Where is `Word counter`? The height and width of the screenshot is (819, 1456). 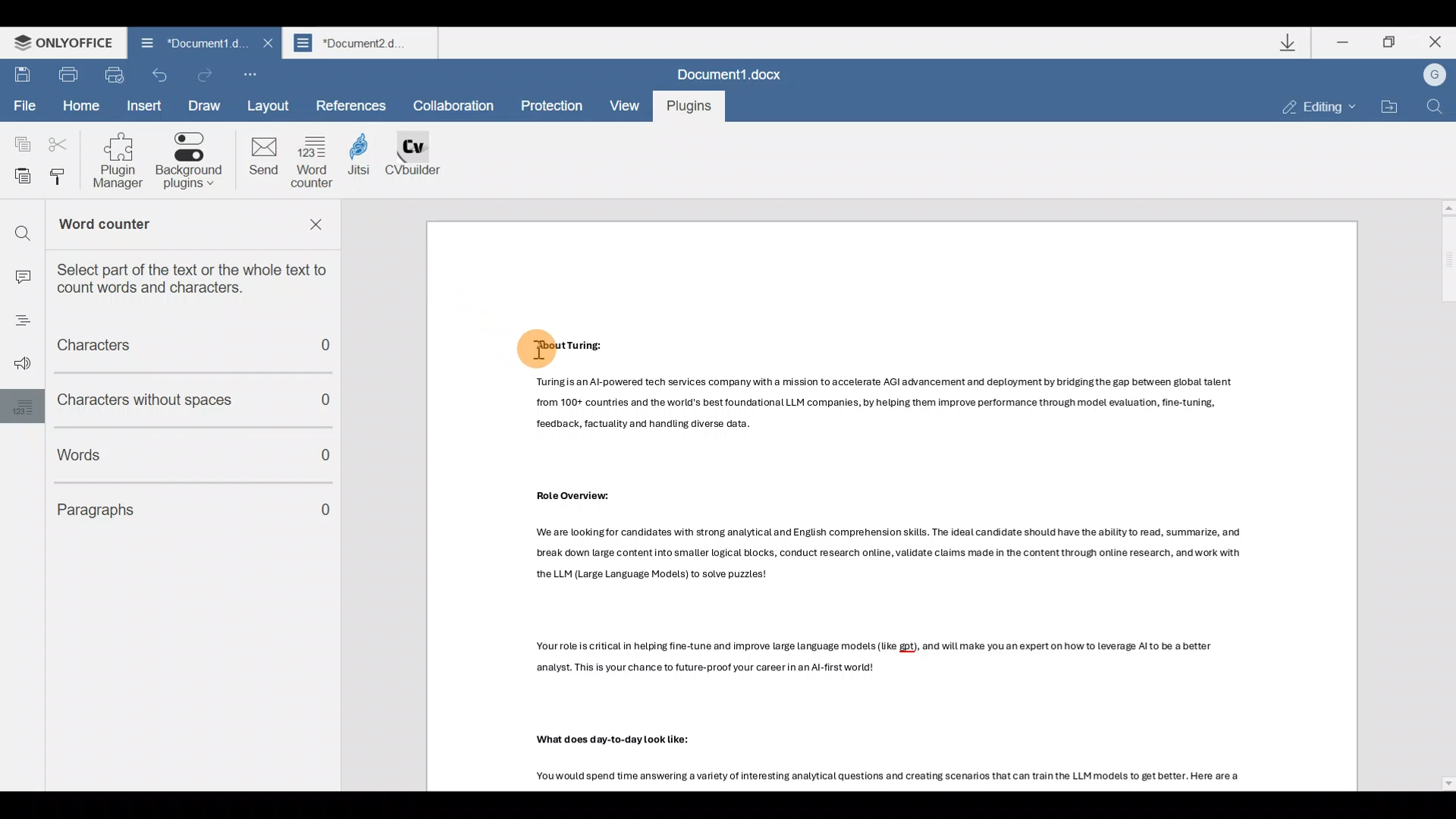
Word counter is located at coordinates (150, 226).